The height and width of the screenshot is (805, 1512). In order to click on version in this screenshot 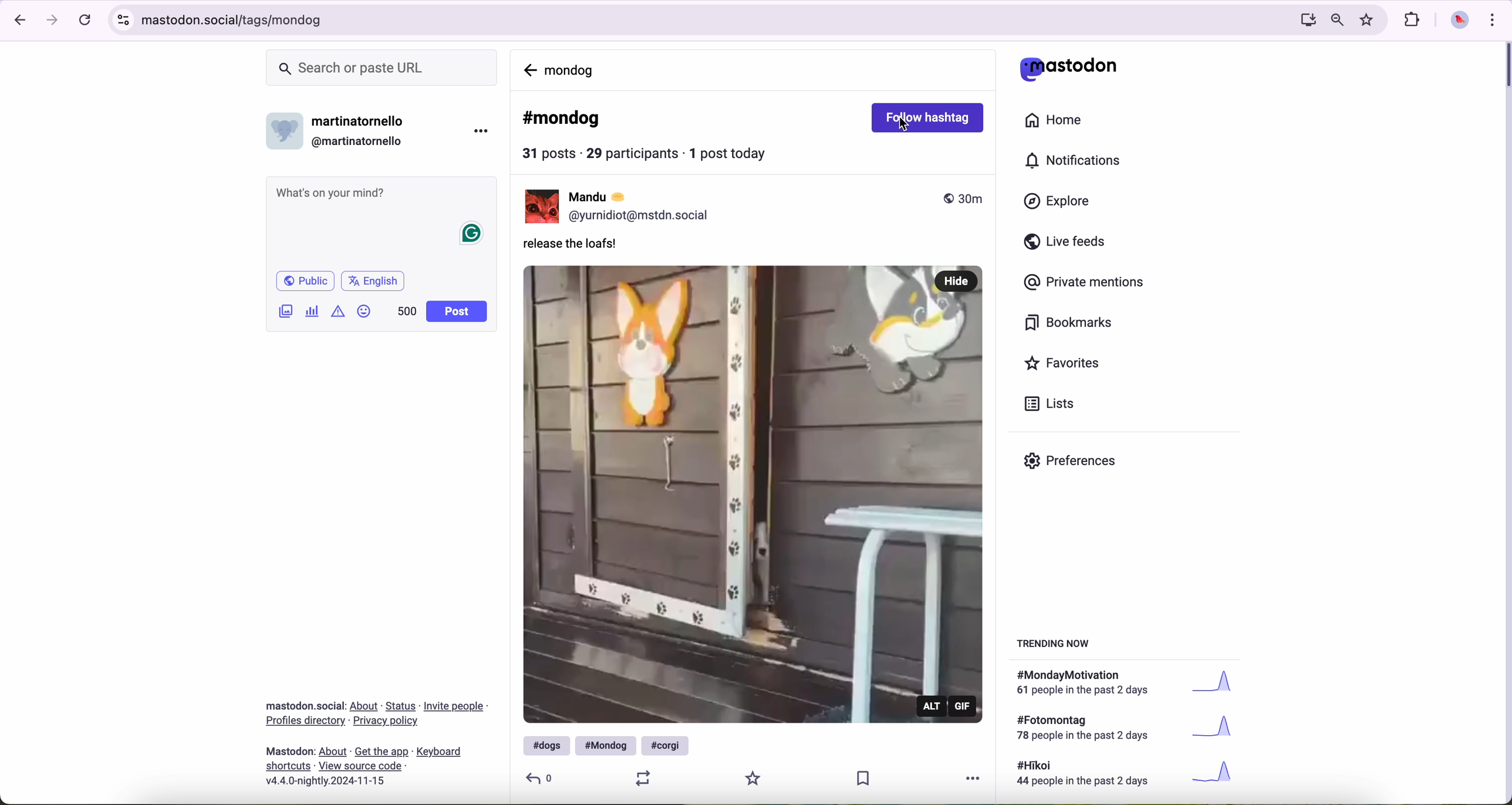, I will do `click(325, 782)`.